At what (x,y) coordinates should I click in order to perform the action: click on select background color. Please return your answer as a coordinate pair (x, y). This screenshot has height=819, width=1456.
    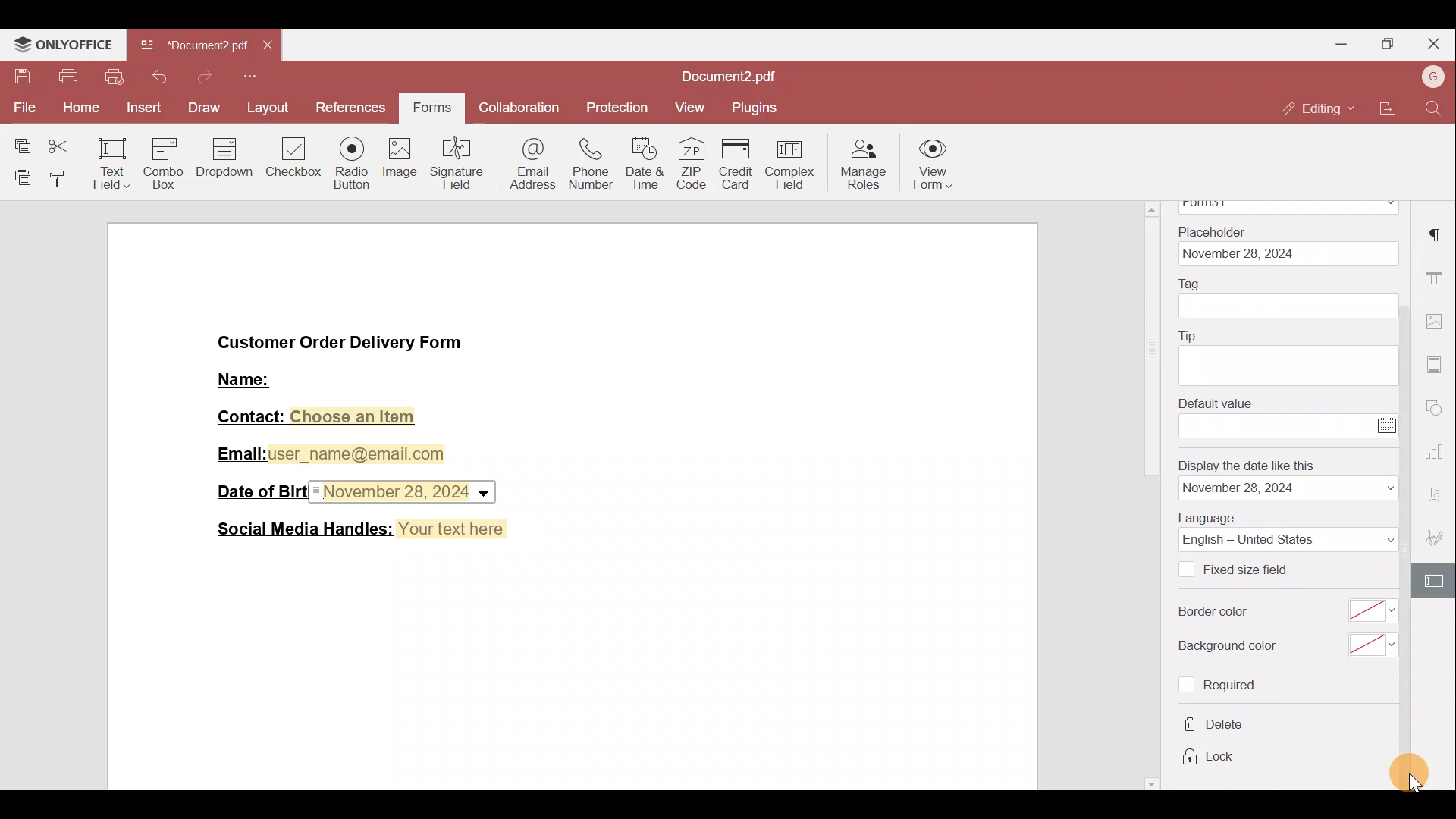
    Looking at the image, I should click on (1374, 643).